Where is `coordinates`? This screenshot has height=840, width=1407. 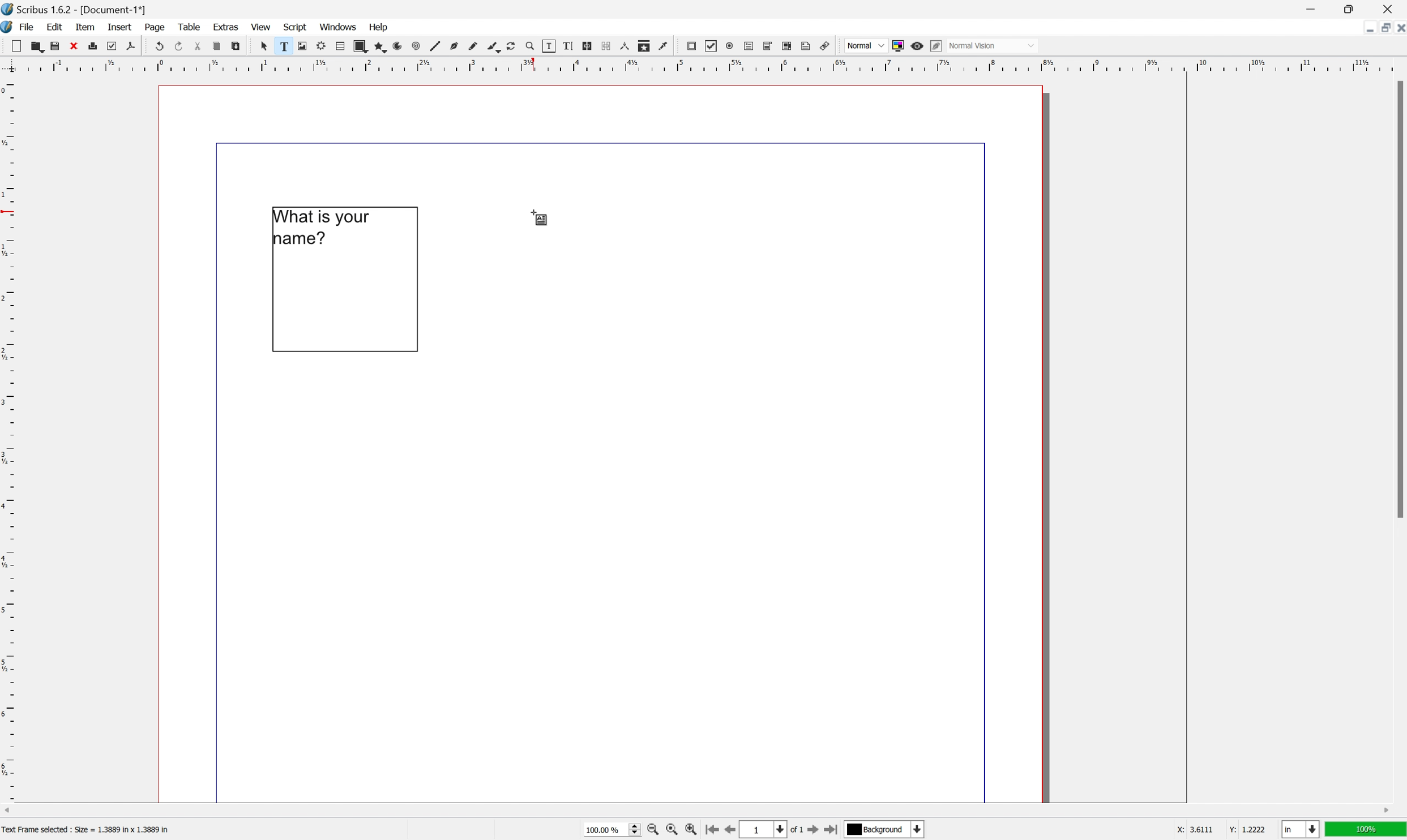 coordinates is located at coordinates (1208, 830).